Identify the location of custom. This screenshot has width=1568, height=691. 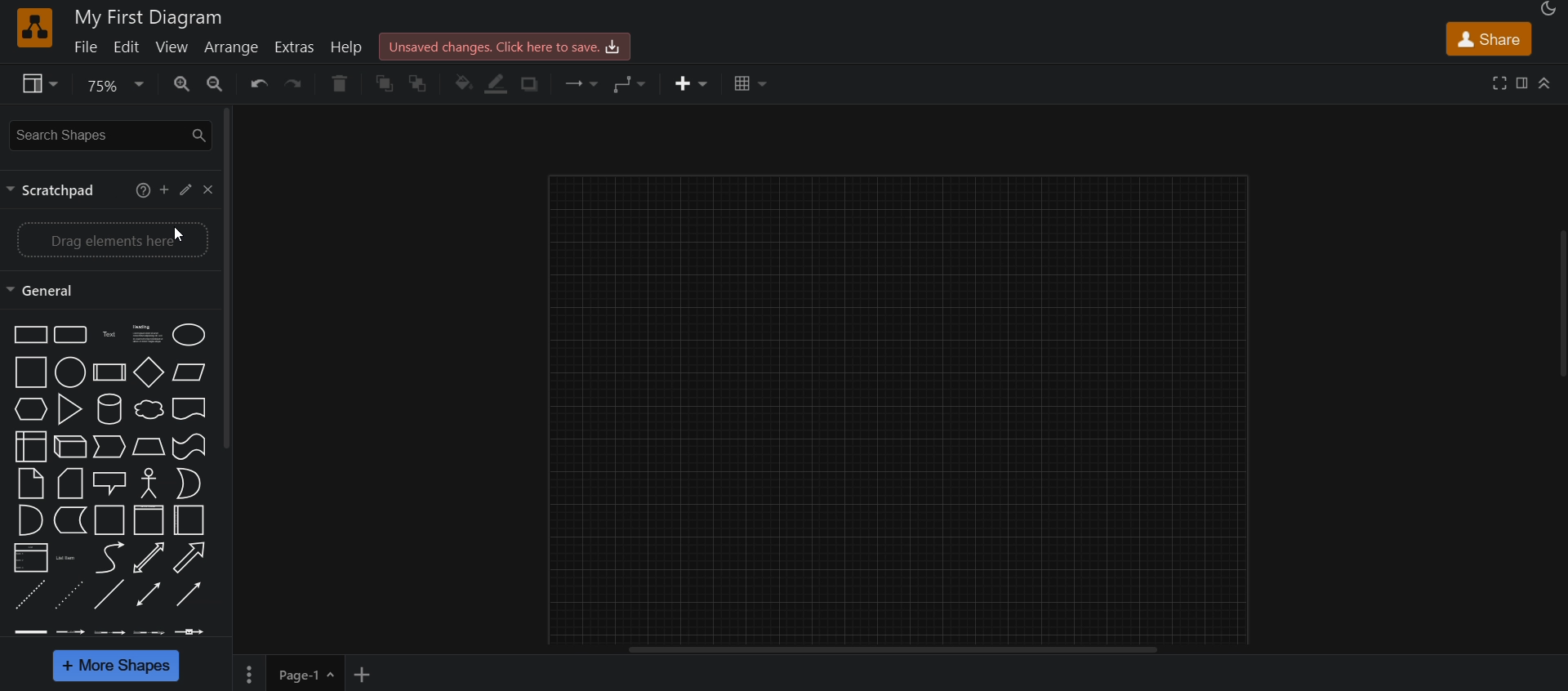
(153, 631).